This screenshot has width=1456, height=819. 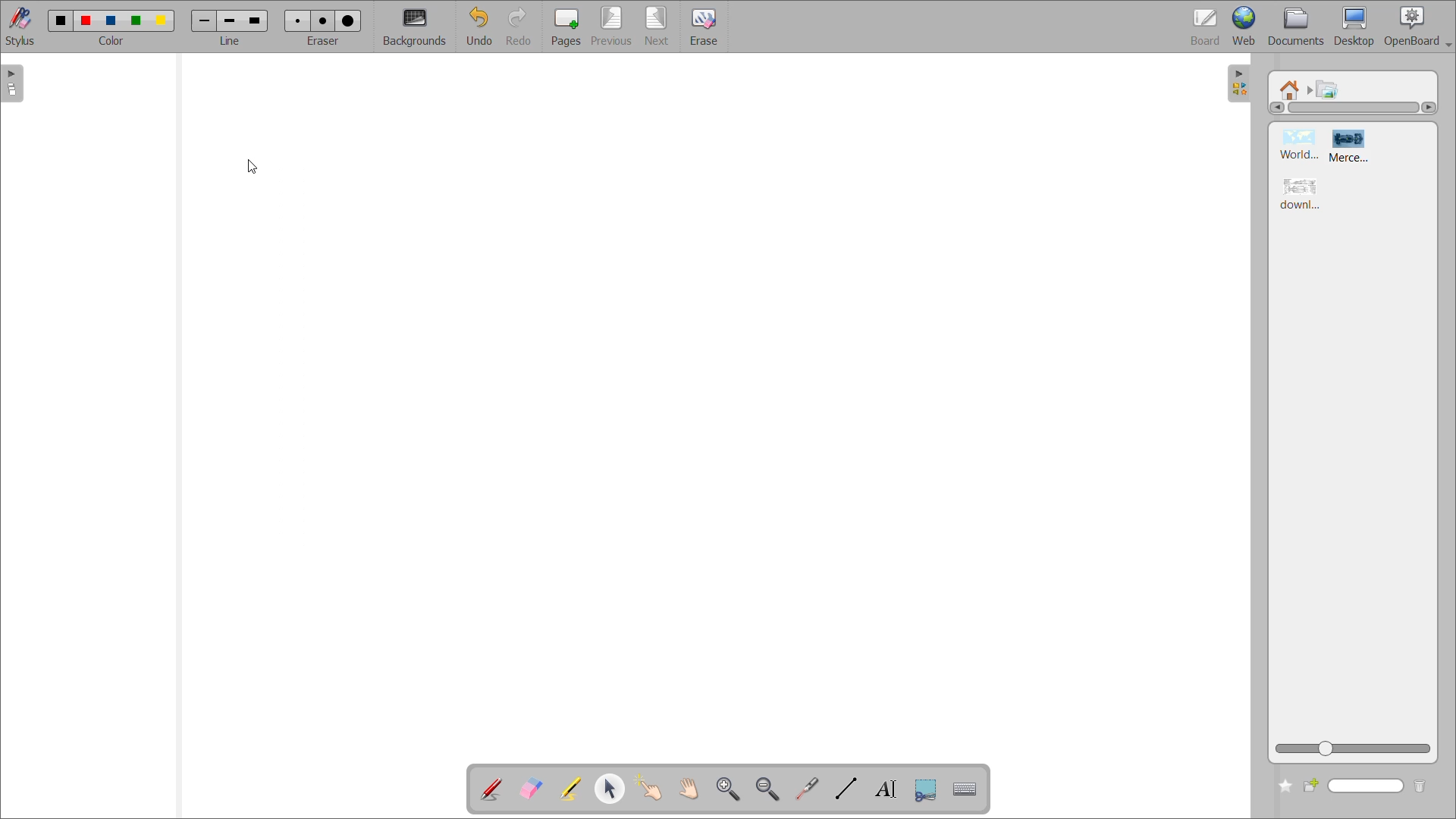 I want to click on root, so click(x=1288, y=90).